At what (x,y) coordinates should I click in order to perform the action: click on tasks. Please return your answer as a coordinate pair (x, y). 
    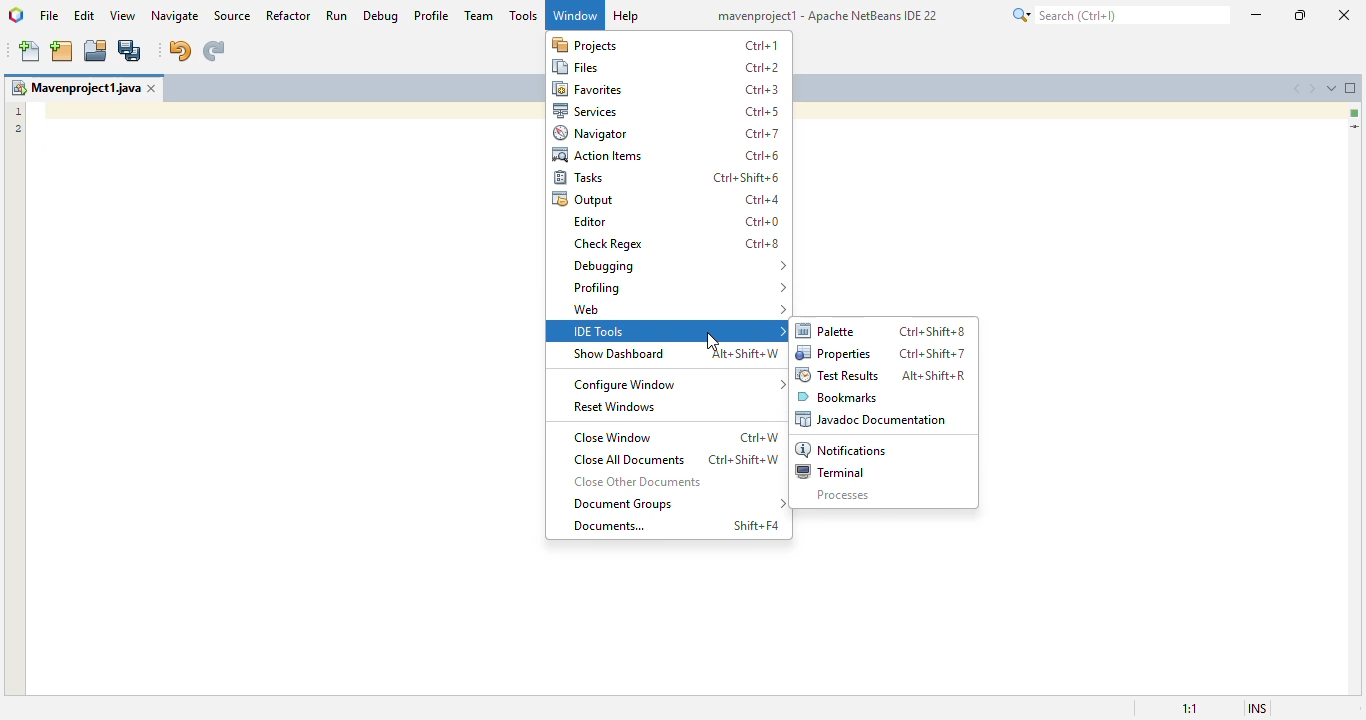
    Looking at the image, I should click on (579, 177).